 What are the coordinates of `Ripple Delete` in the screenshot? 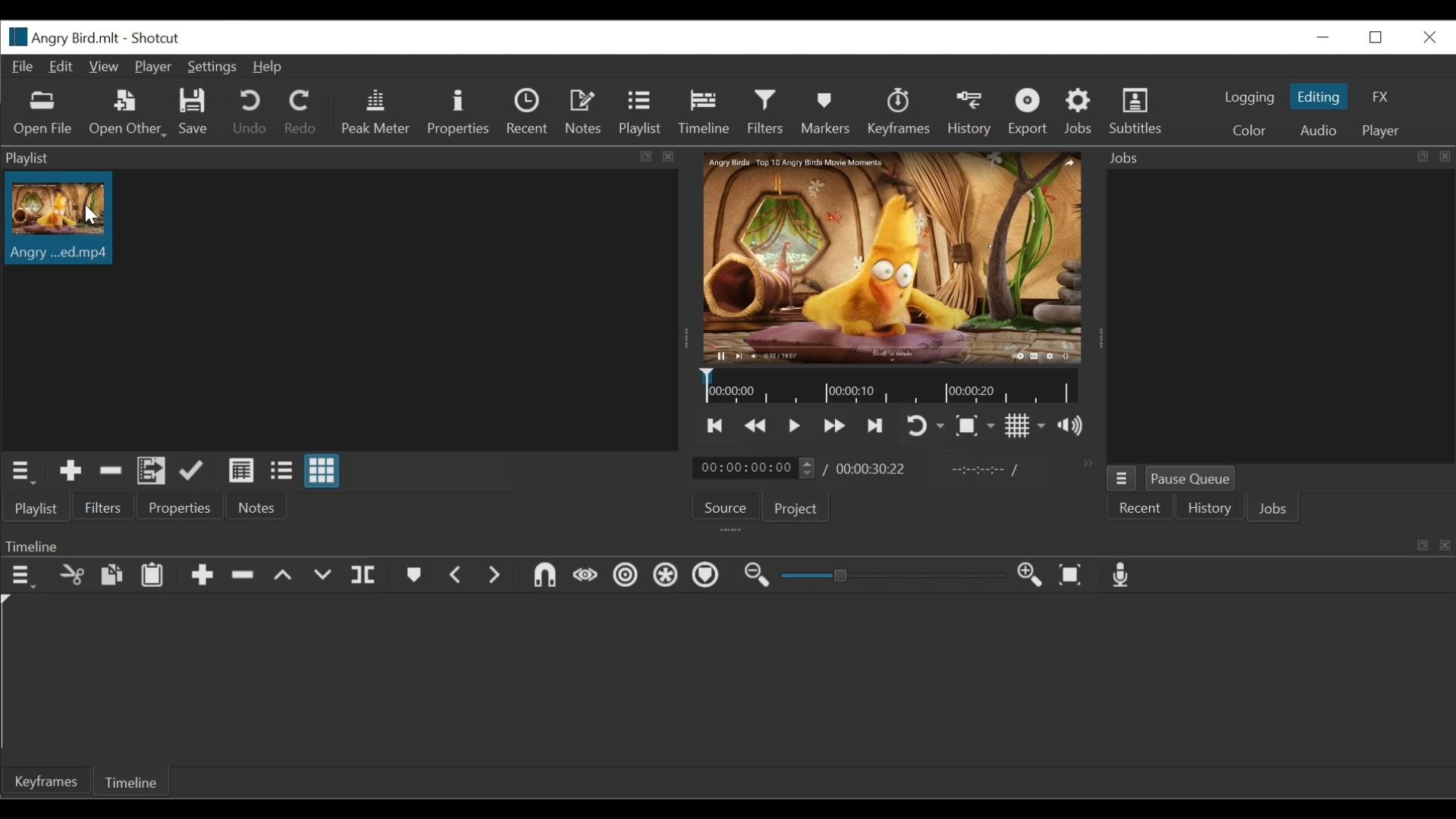 It's located at (242, 576).